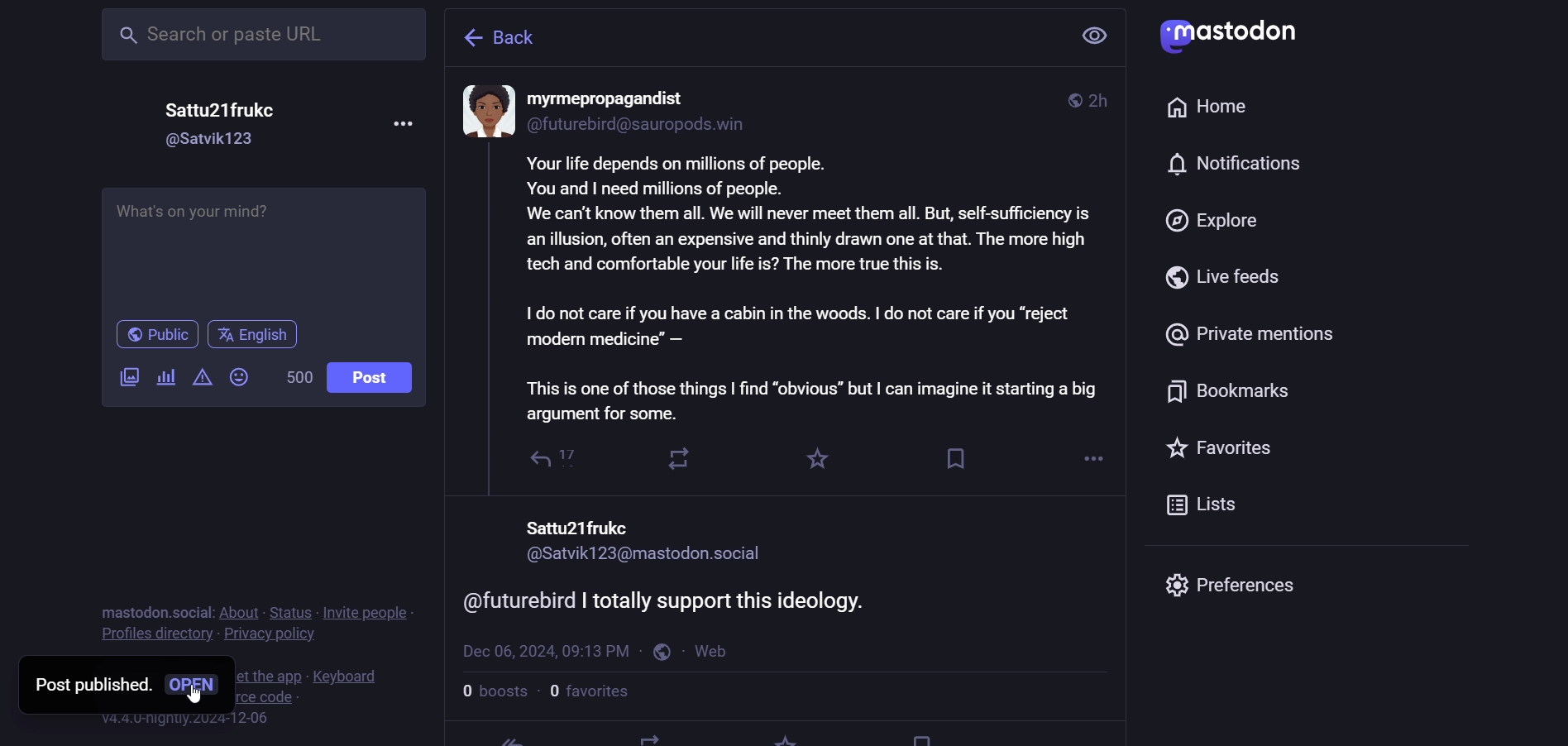 Image resolution: width=1568 pixels, height=746 pixels. What do you see at coordinates (613, 99) in the screenshot?
I see `name` at bounding box center [613, 99].